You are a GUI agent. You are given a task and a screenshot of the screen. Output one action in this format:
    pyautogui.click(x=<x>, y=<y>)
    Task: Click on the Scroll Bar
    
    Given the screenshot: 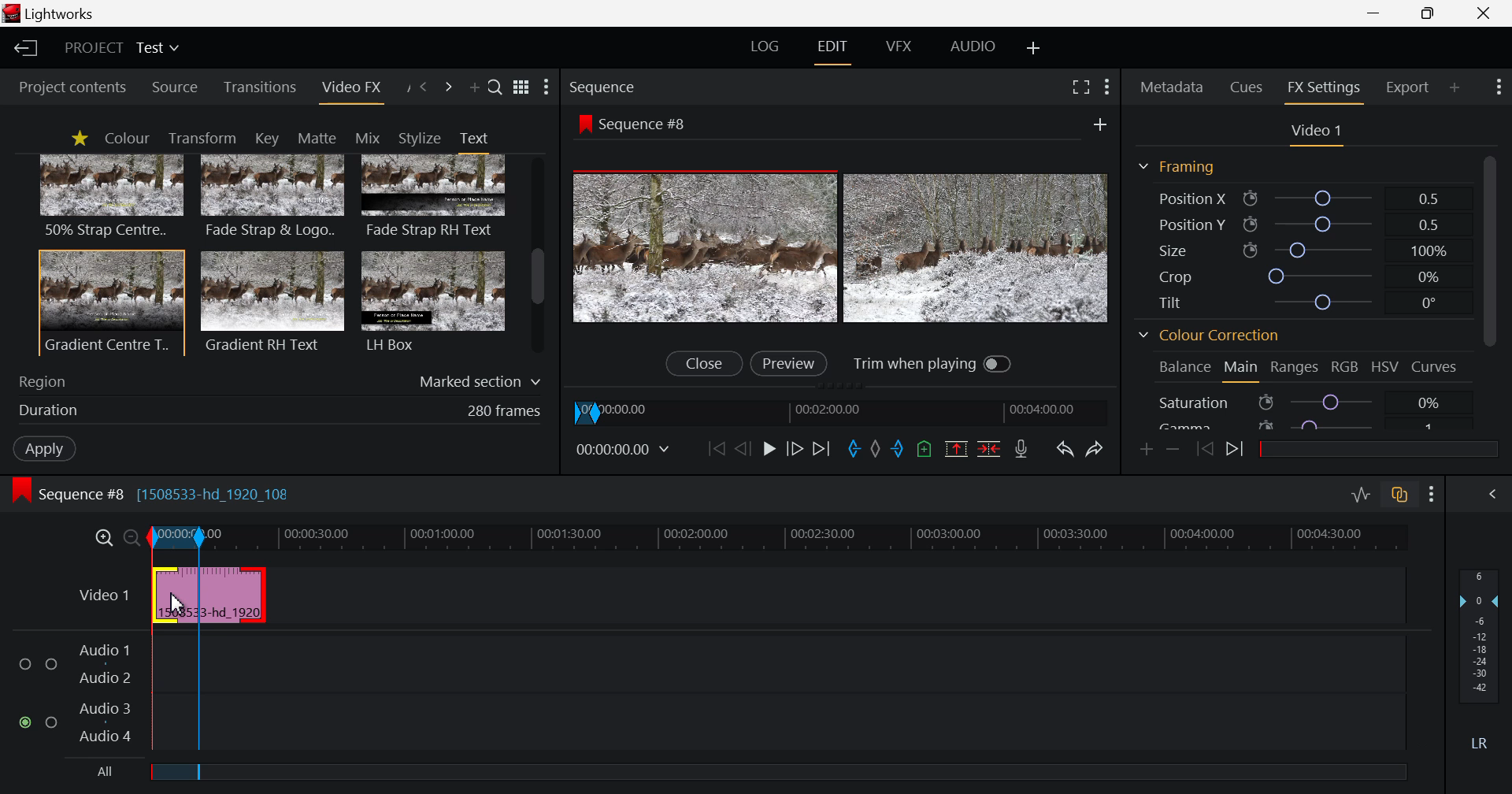 What is the action you would take?
    pyautogui.click(x=538, y=257)
    